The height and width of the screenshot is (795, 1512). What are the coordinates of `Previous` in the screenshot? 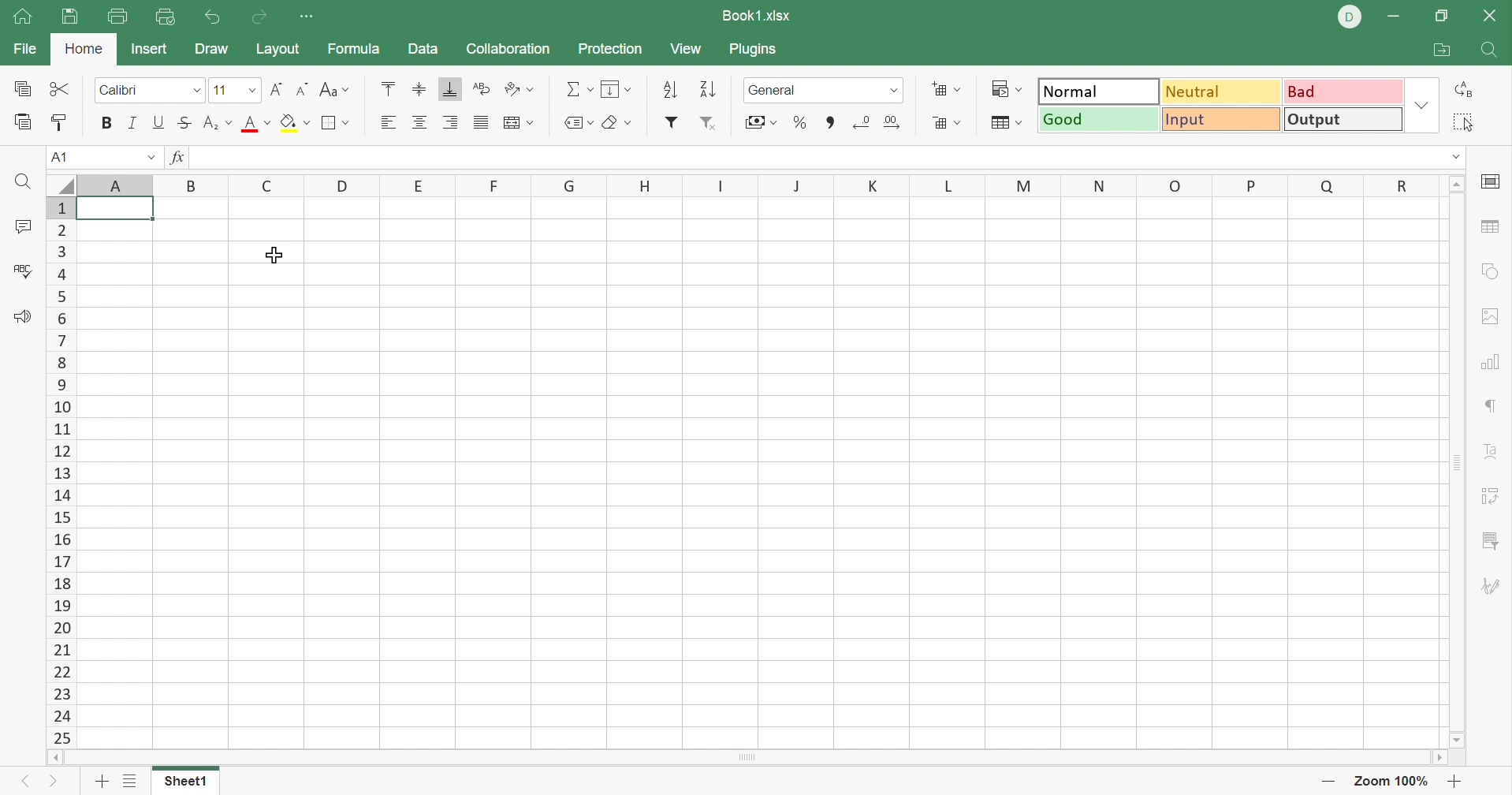 It's located at (18, 783).